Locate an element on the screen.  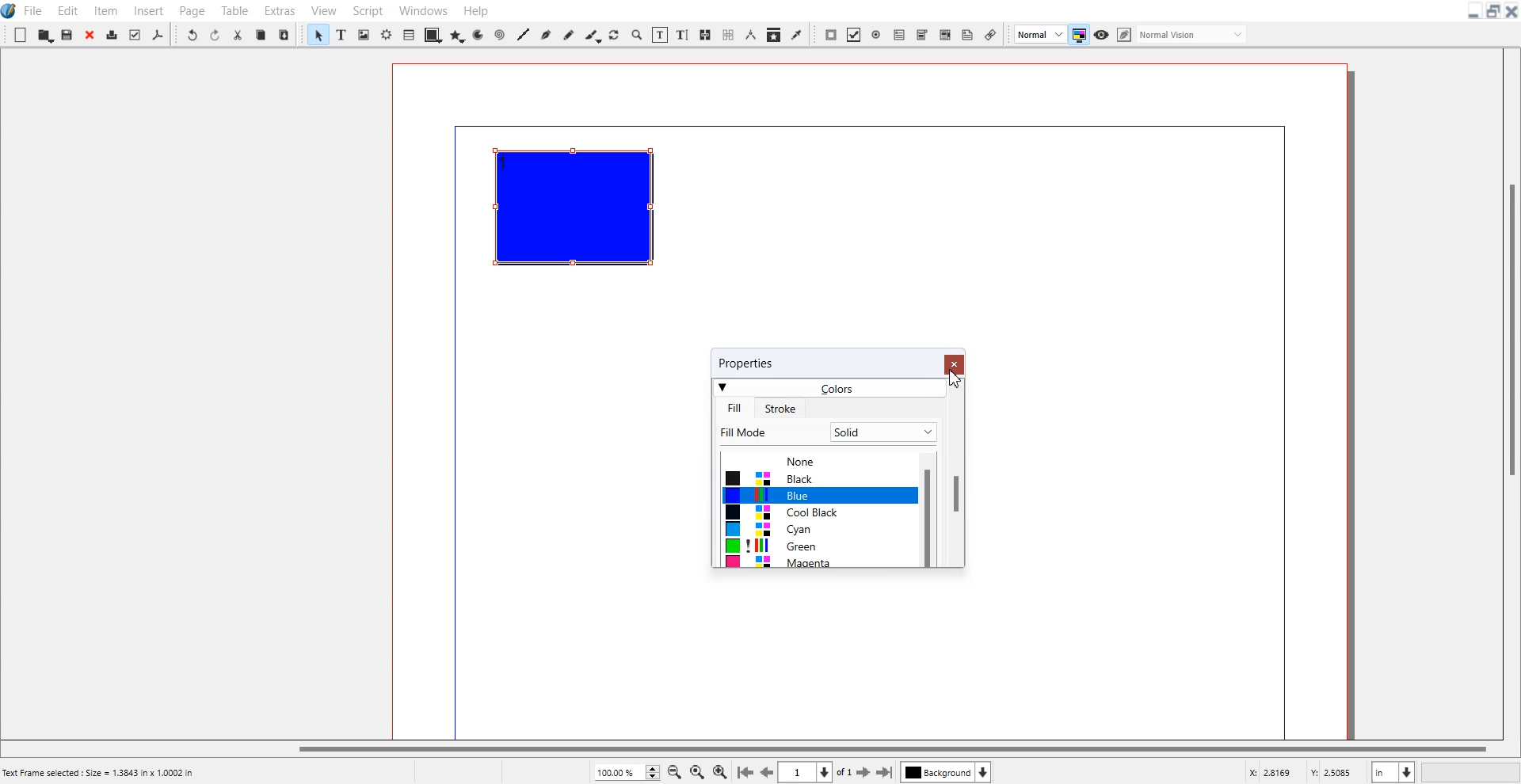
File is located at coordinates (34, 10).